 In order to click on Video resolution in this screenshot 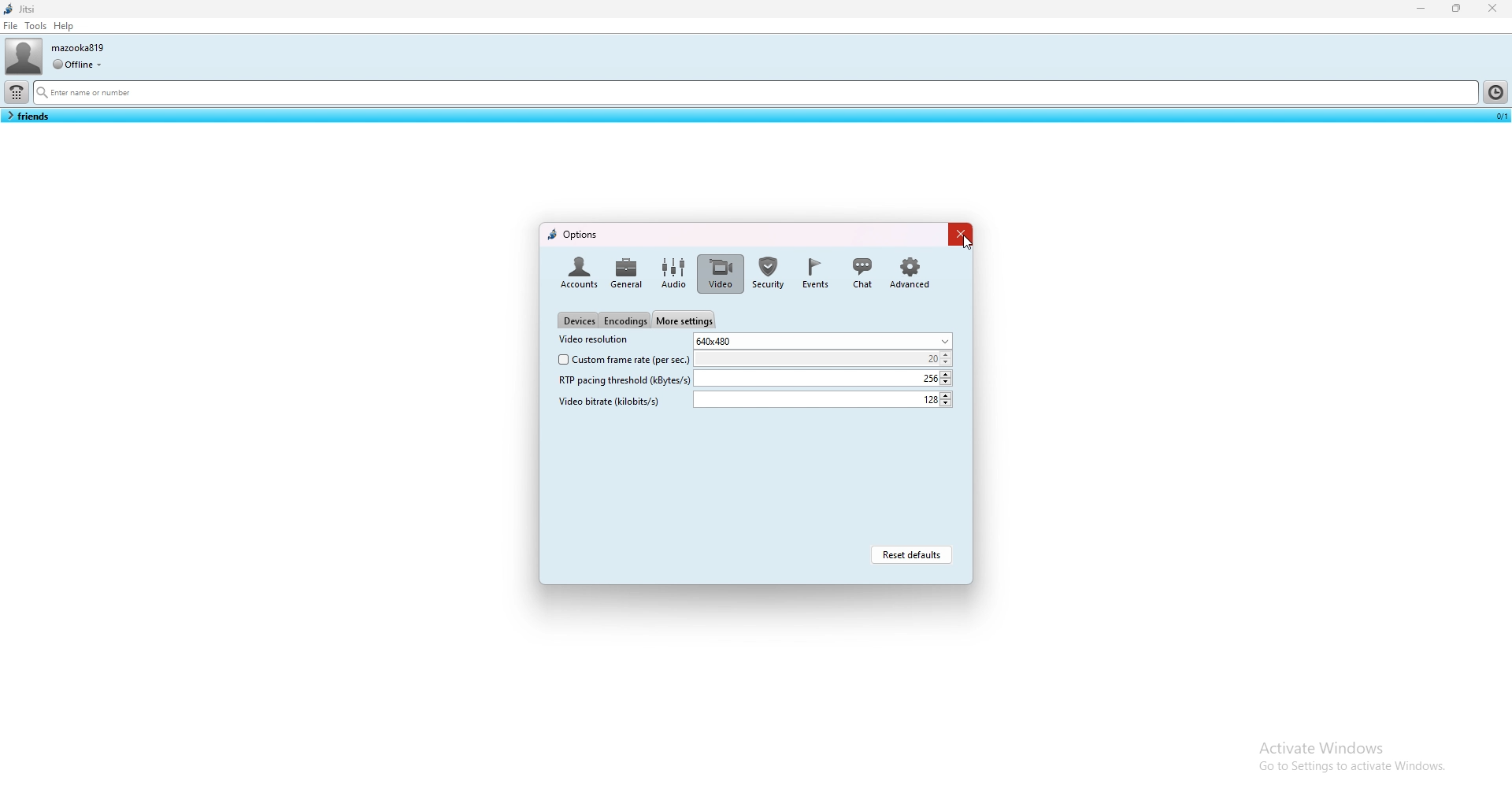, I will do `click(593, 339)`.